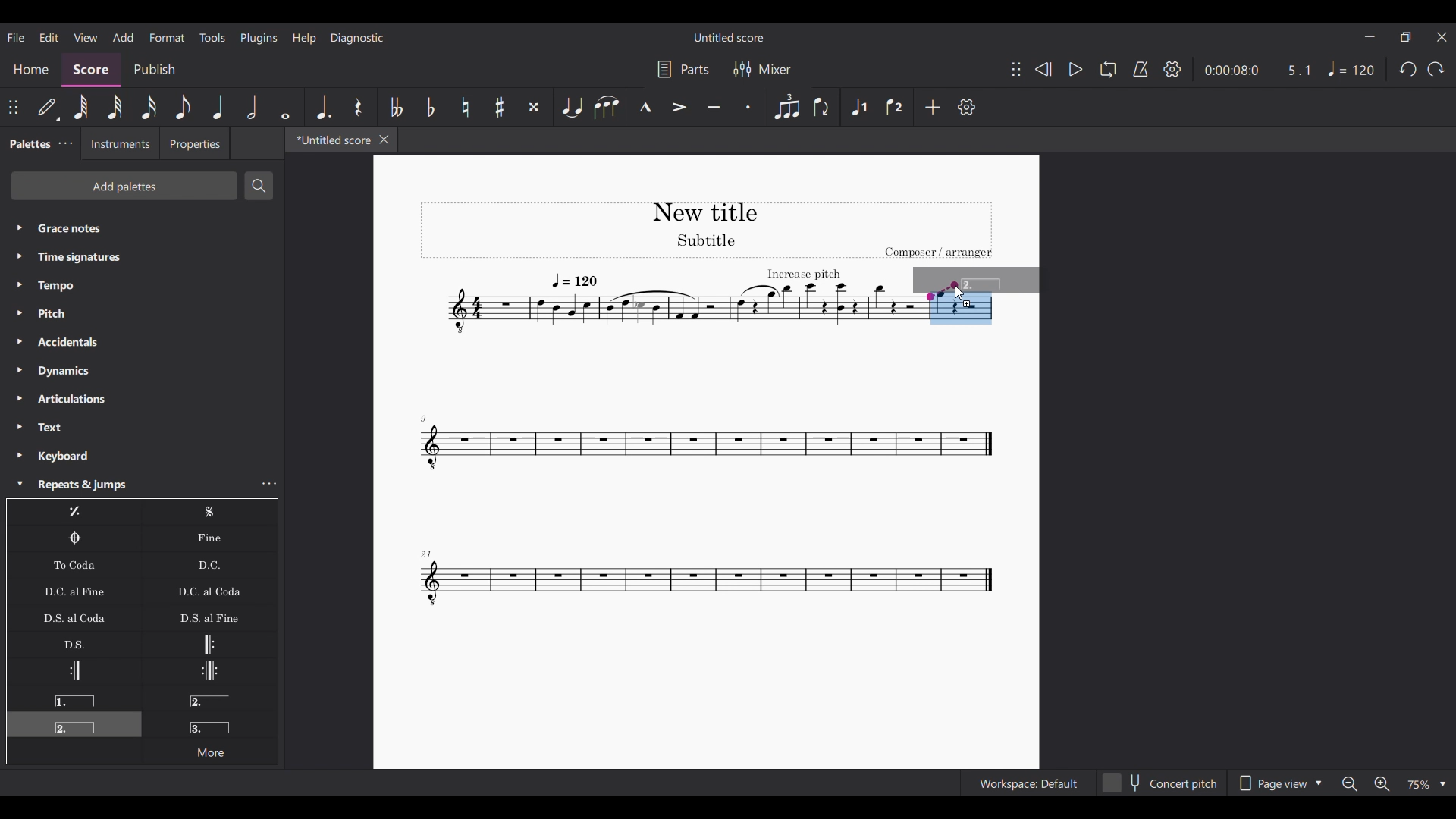 The width and height of the screenshot is (1456, 819). Describe the element at coordinates (129, 485) in the screenshot. I see `Repeats & jumps highlighted by cursor` at that location.